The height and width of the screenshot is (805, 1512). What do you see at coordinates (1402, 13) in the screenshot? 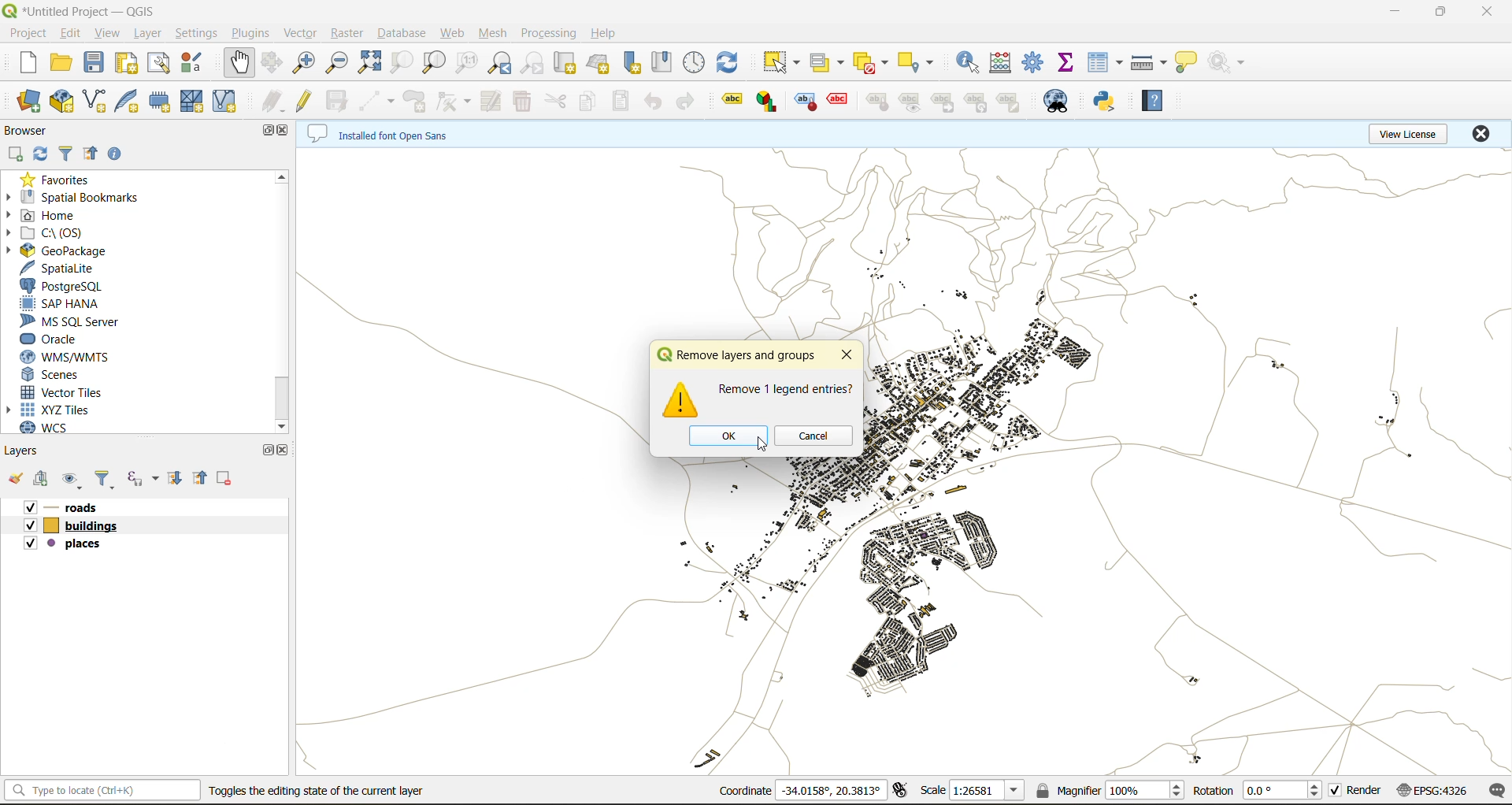
I see `minimize` at bounding box center [1402, 13].